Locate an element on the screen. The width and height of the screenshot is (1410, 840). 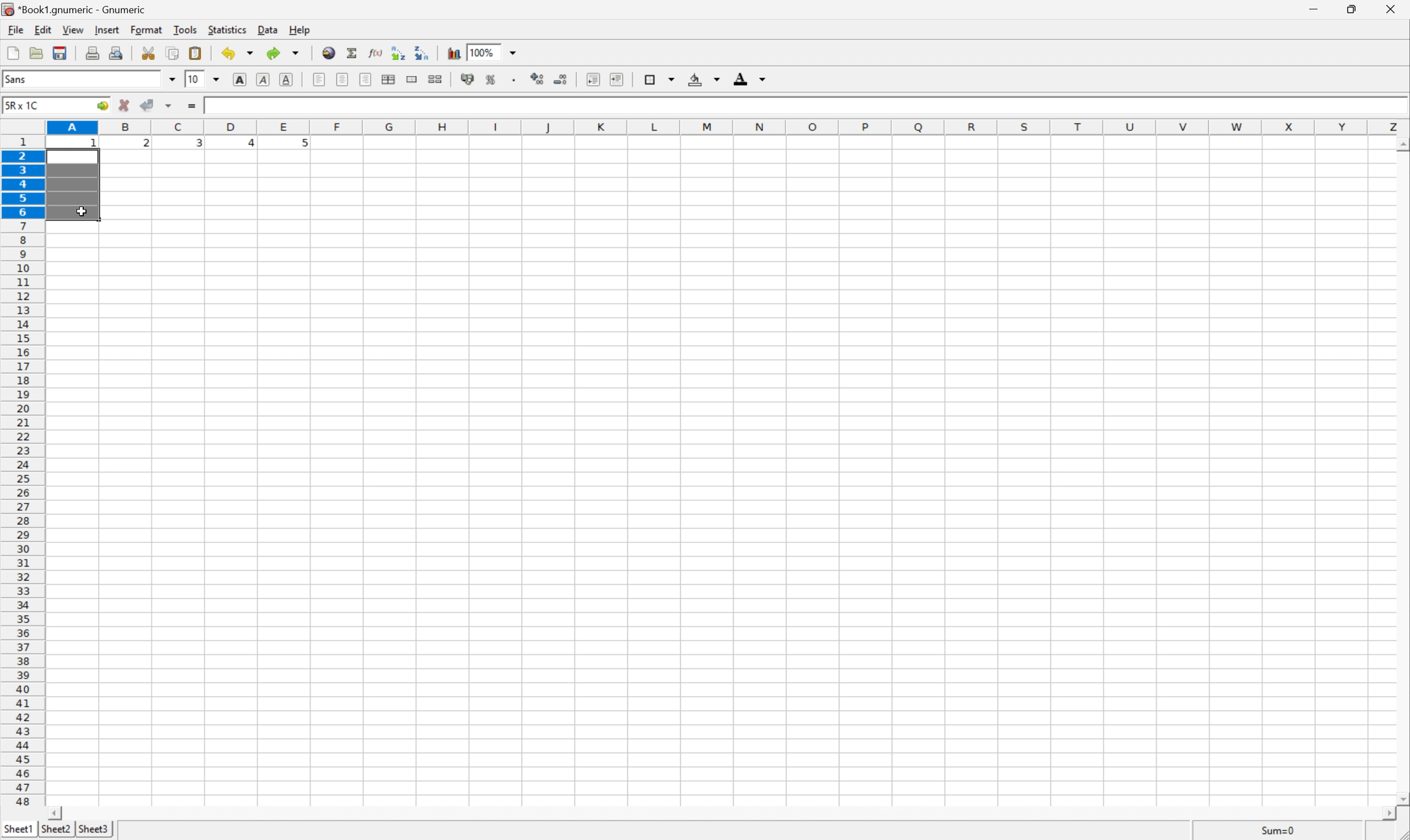
selected cells is located at coordinates (74, 187).